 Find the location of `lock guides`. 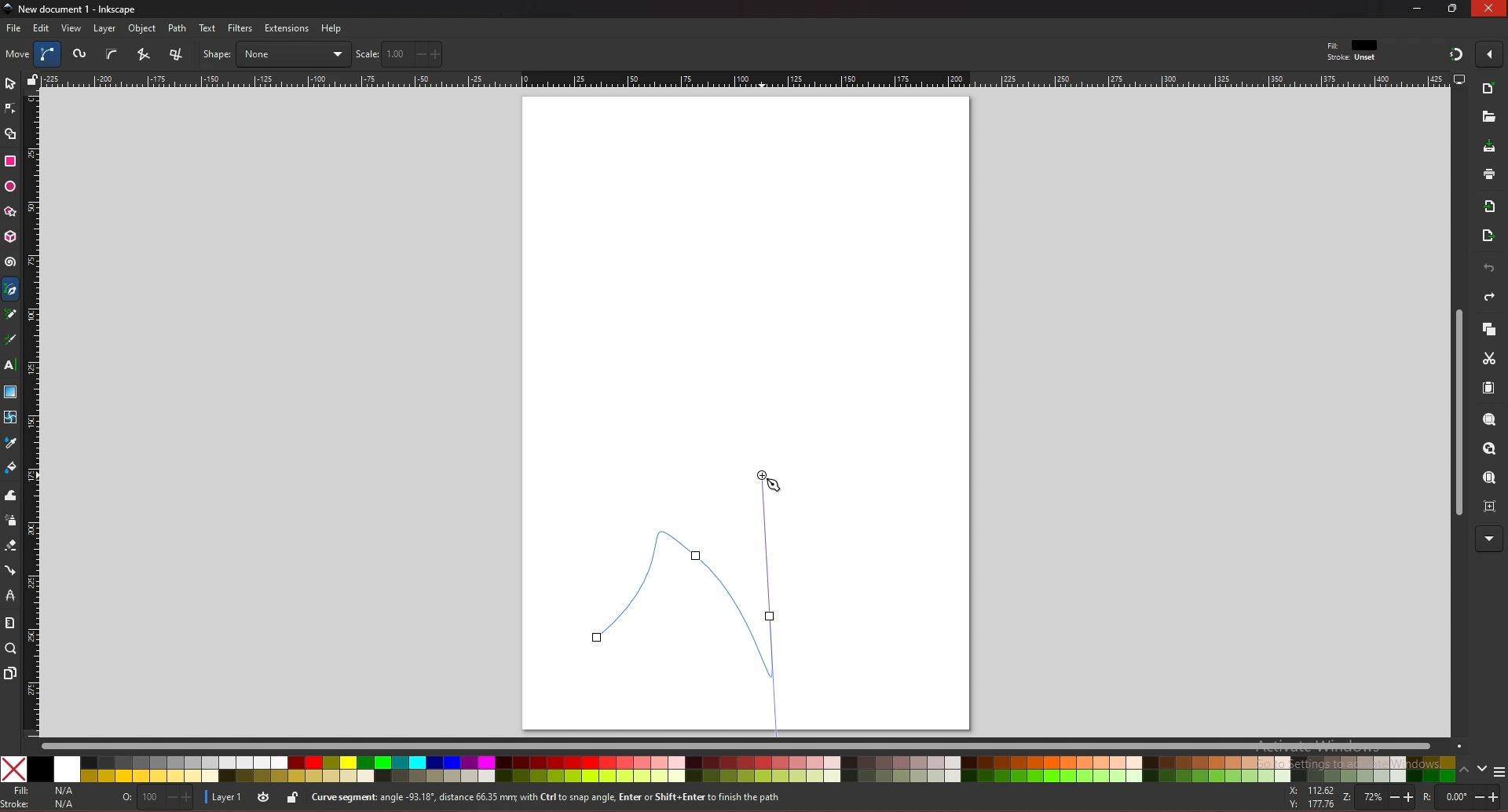

lock guides is located at coordinates (32, 79).